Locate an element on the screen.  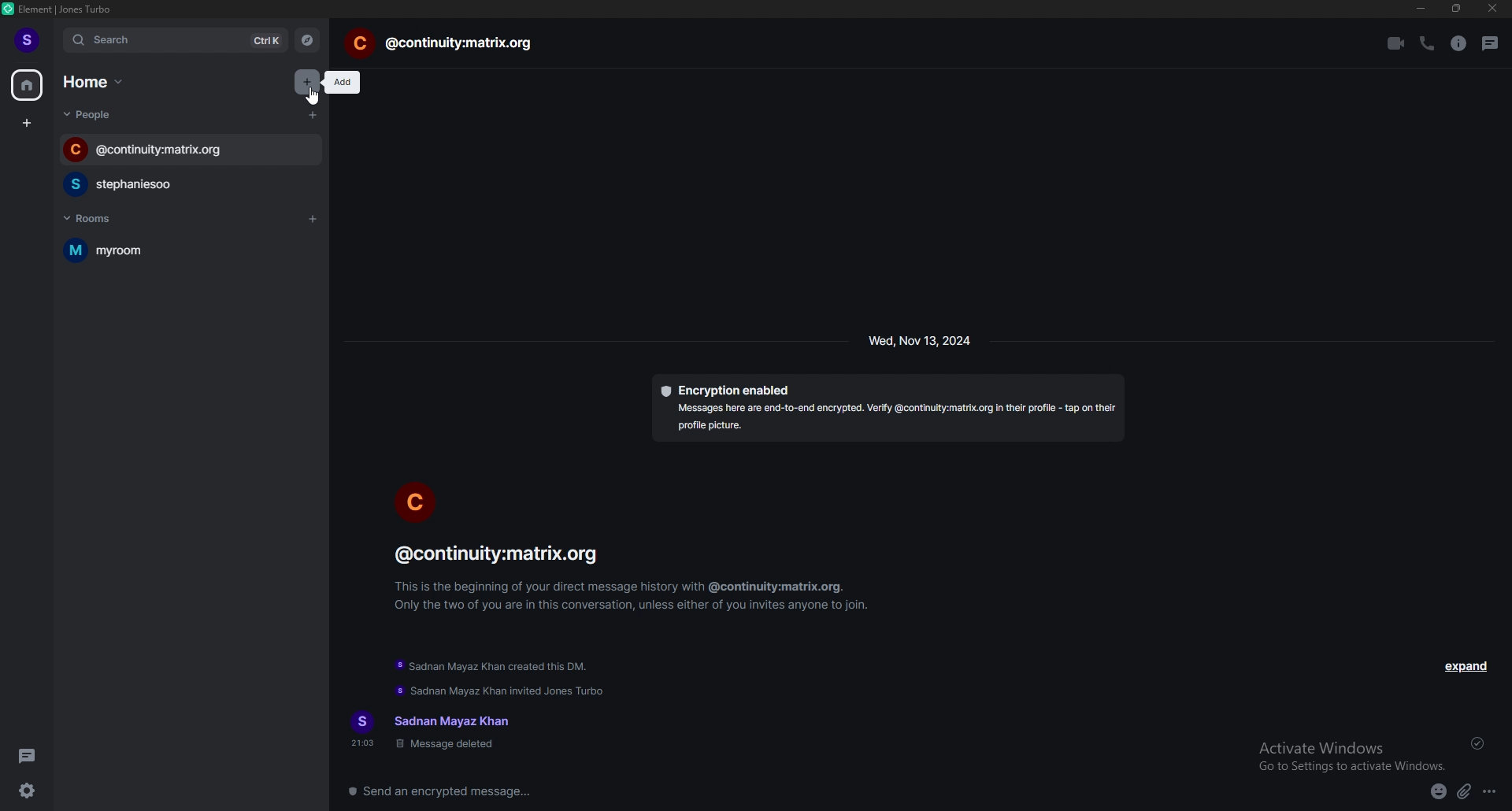
chat is located at coordinates (441, 44).